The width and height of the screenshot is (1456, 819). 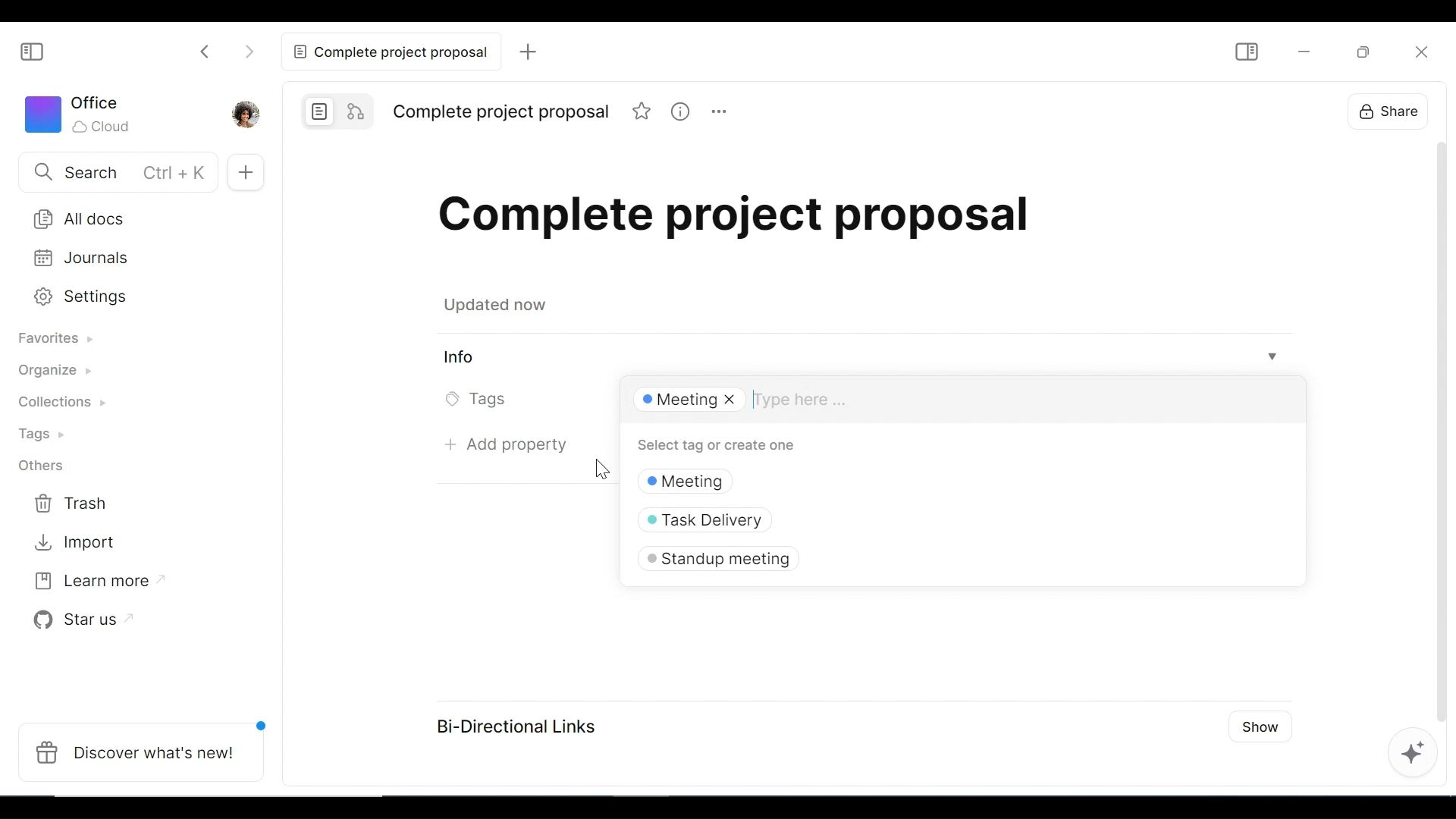 What do you see at coordinates (715, 559) in the screenshot?
I see `Standup meeting` at bounding box center [715, 559].